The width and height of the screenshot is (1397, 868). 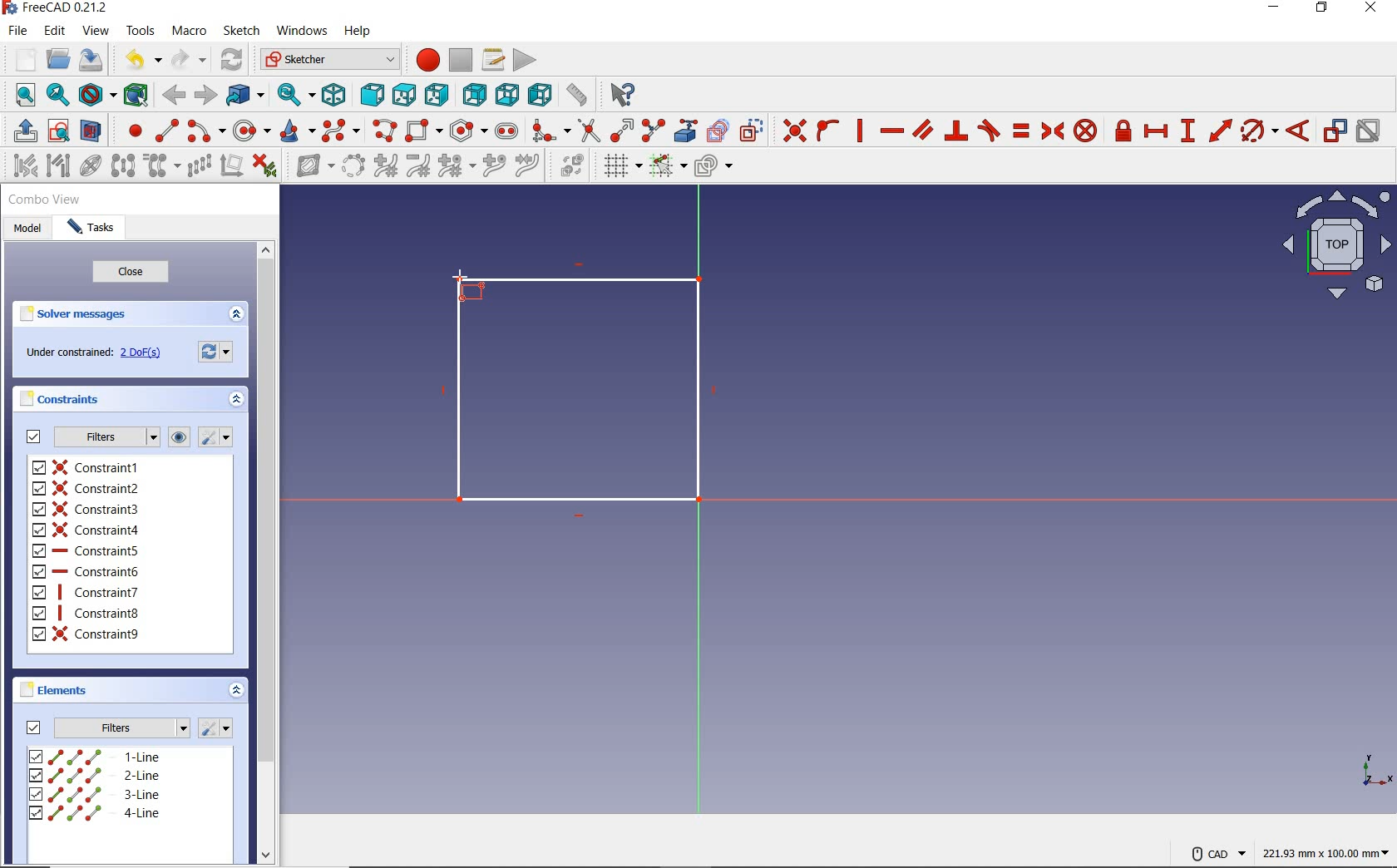 I want to click on Drawn square using the rectangle tool, so click(x=580, y=394).